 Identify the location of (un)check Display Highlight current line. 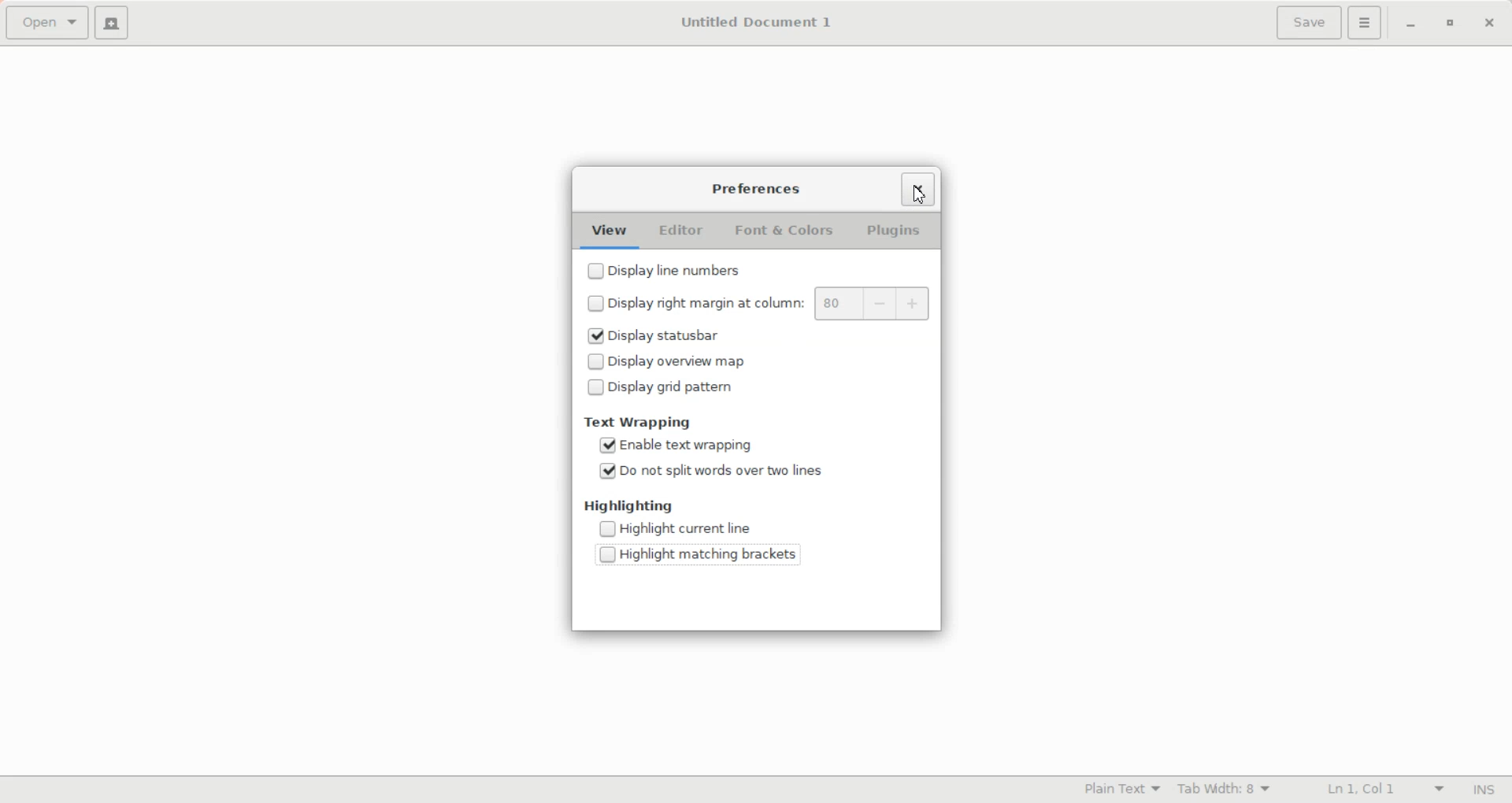
(706, 527).